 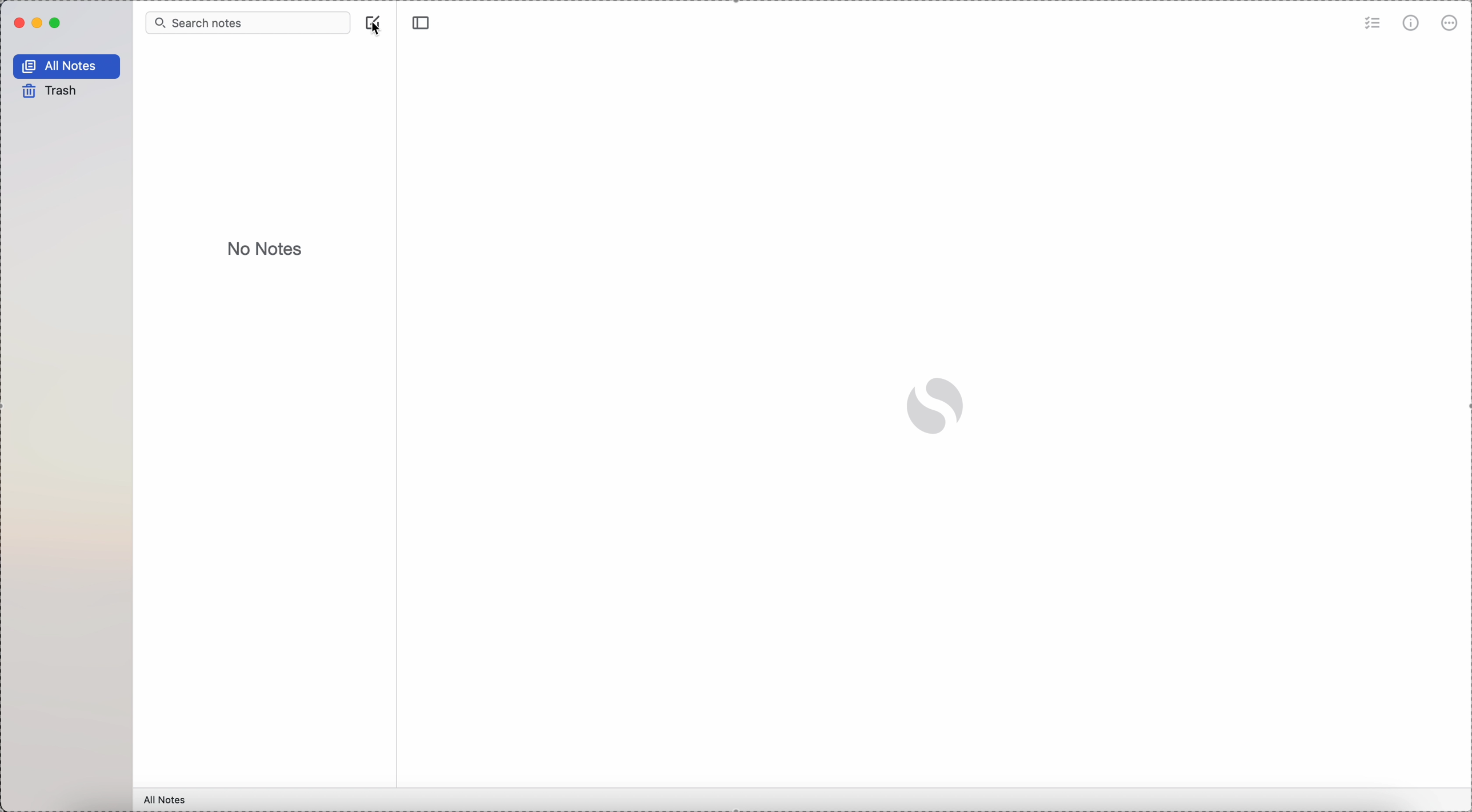 What do you see at coordinates (1413, 22) in the screenshot?
I see `metrics` at bounding box center [1413, 22].